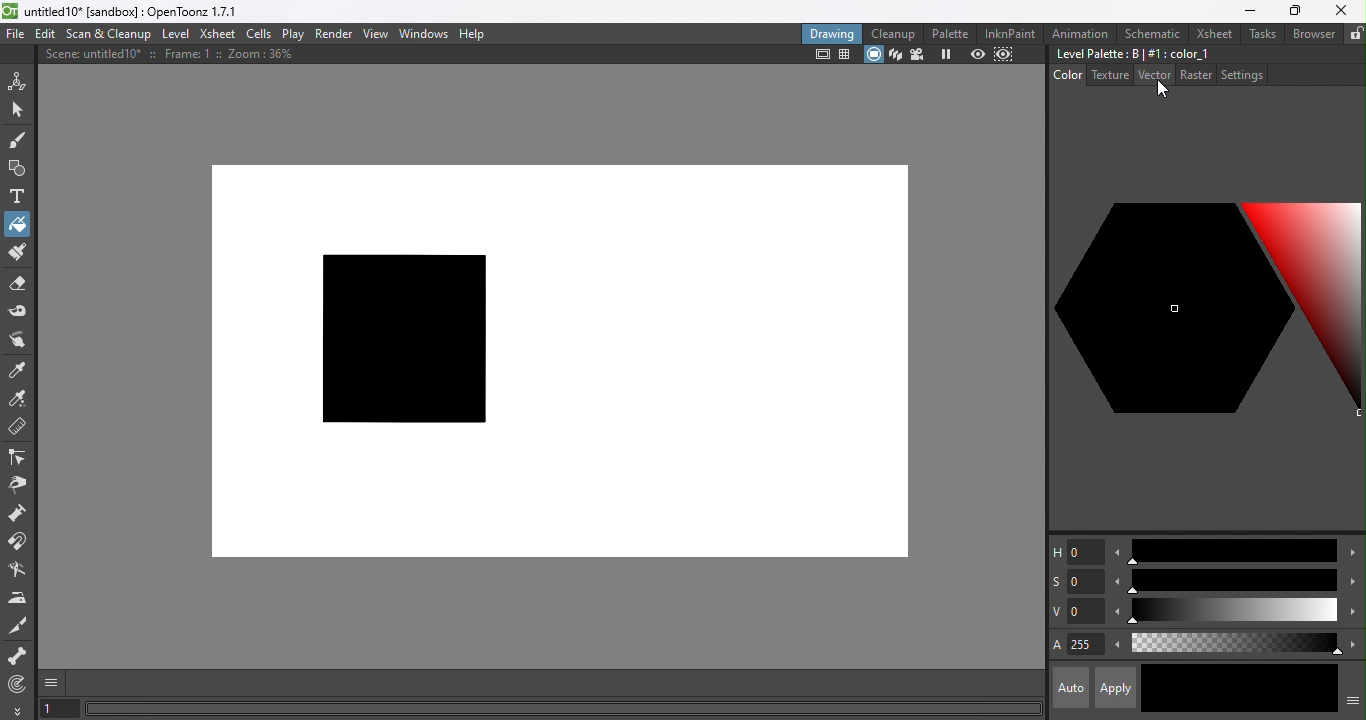  What do you see at coordinates (1286, 689) in the screenshot?
I see `Return to previous style` at bounding box center [1286, 689].